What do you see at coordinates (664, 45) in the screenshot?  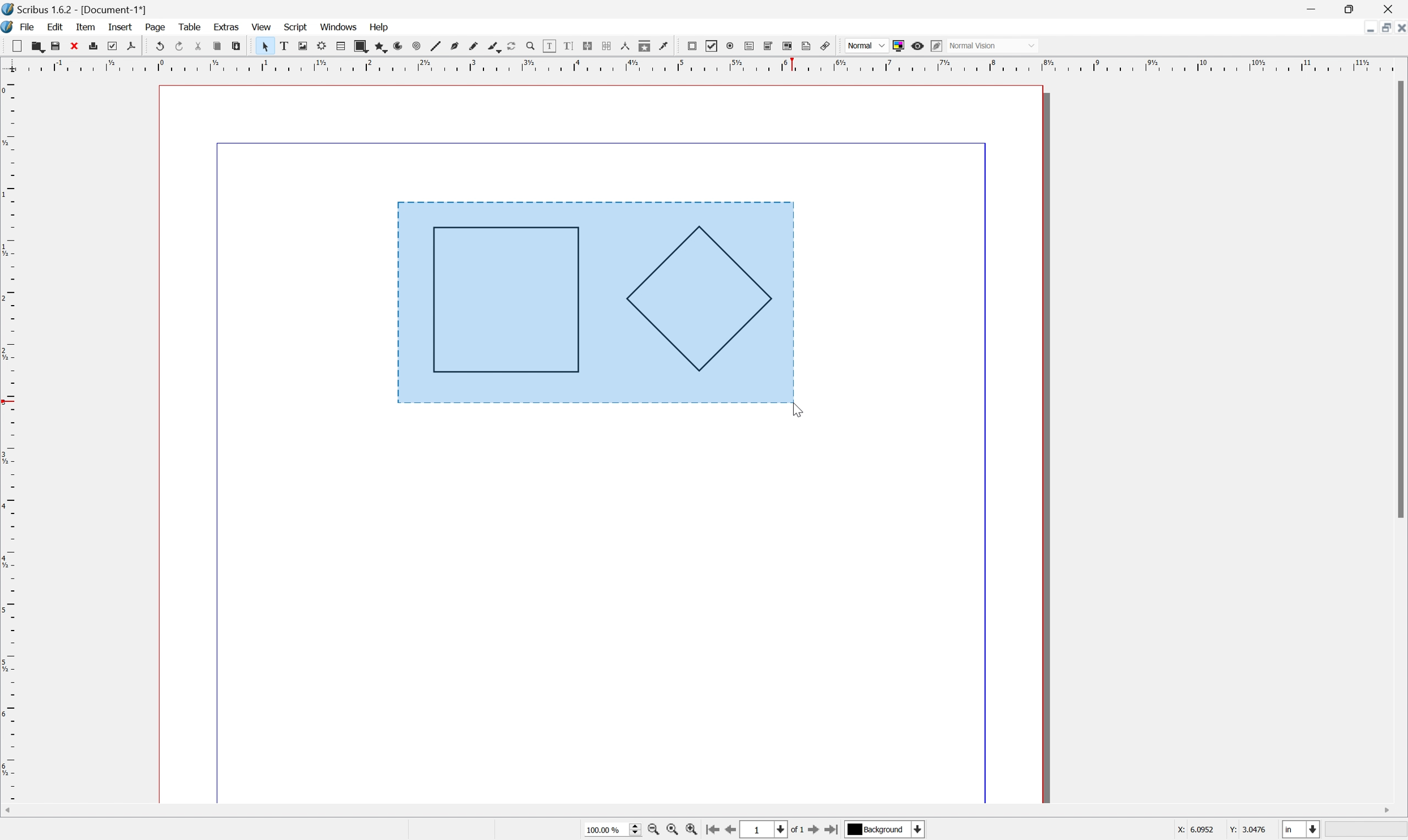 I see `Eye dropper` at bounding box center [664, 45].